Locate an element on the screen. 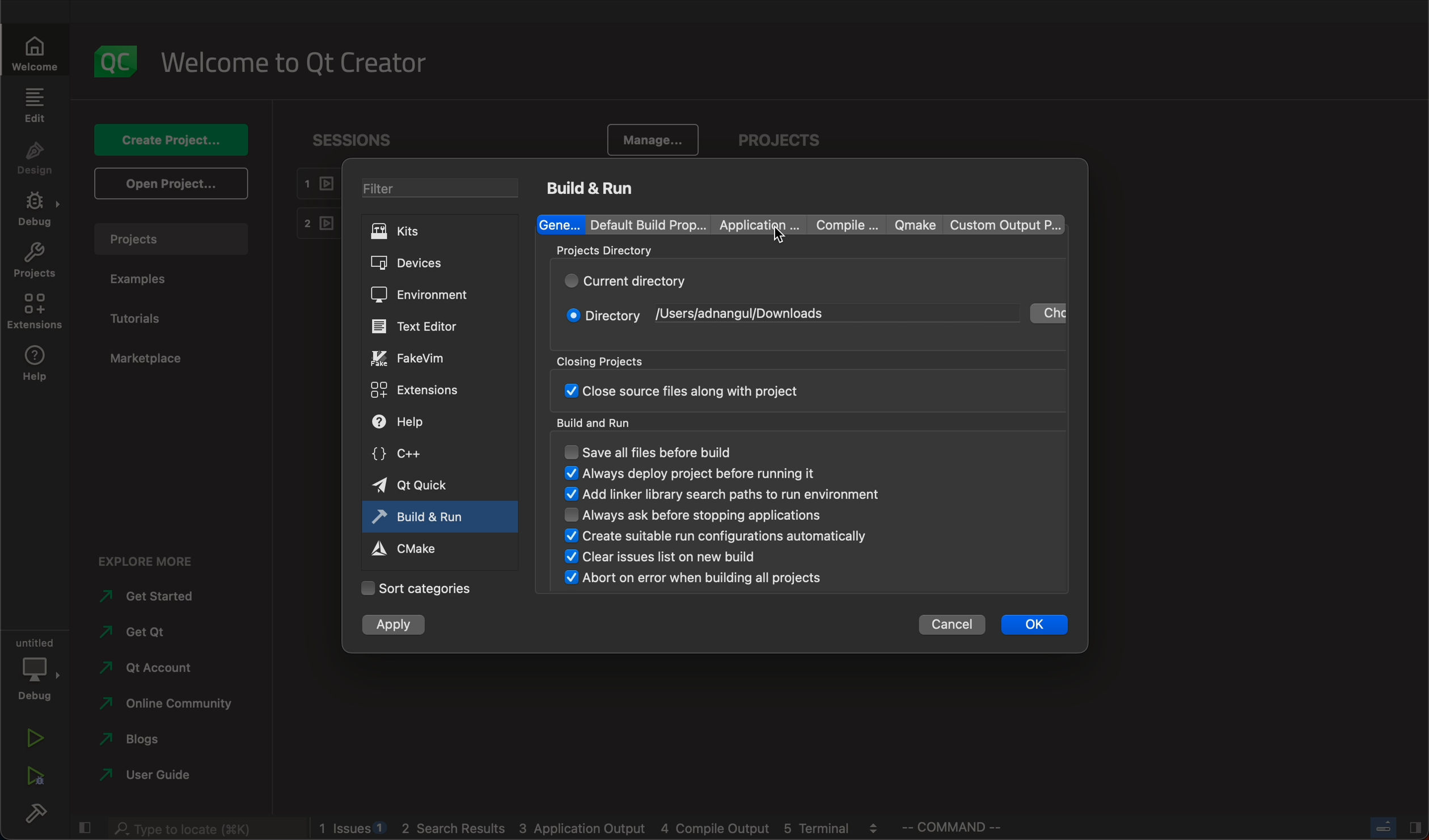 Image resolution: width=1429 pixels, height=840 pixels. Always ask before stopping applications is located at coordinates (720, 512).